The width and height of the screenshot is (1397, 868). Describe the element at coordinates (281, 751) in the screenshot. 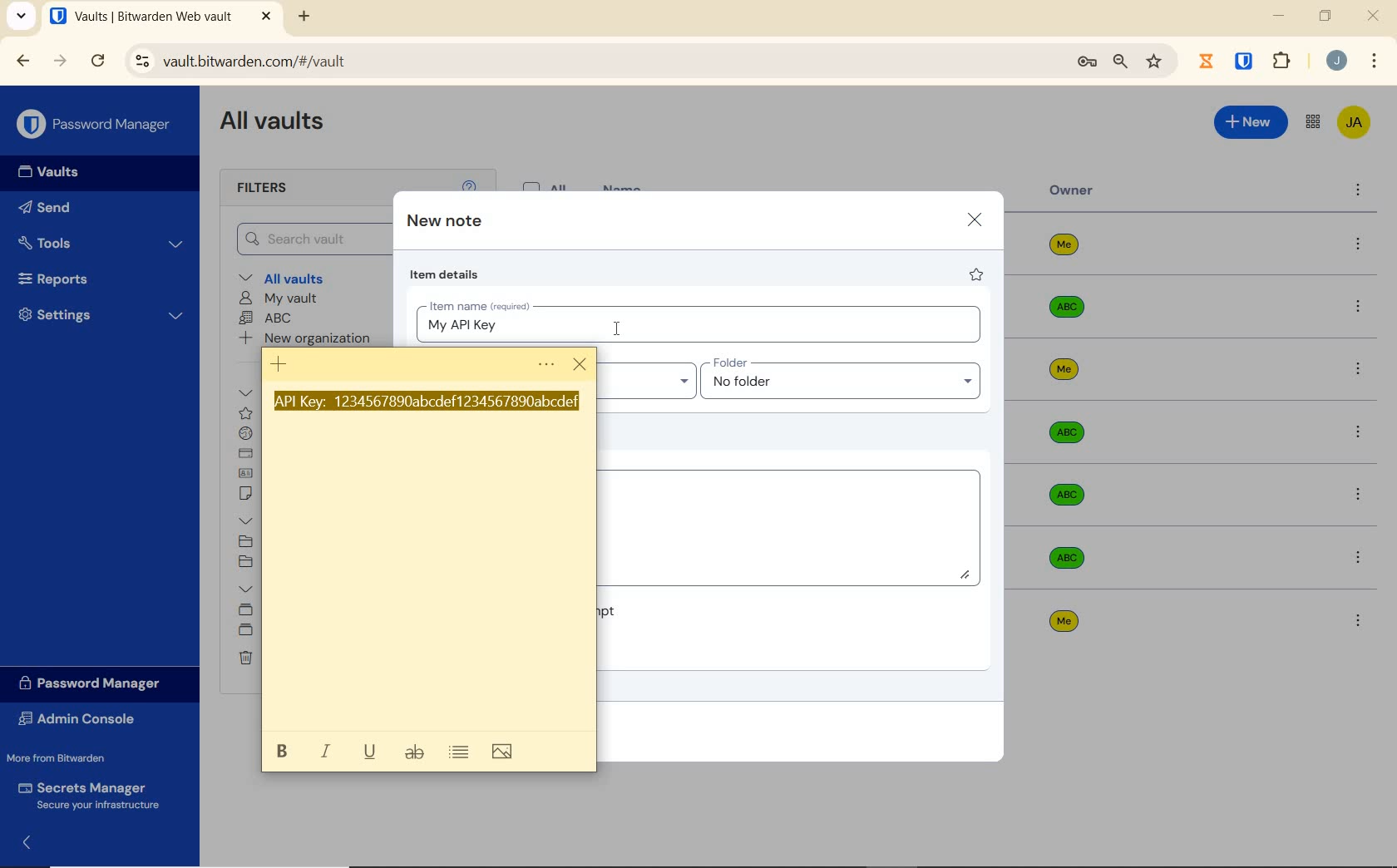

I see `bold` at that location.